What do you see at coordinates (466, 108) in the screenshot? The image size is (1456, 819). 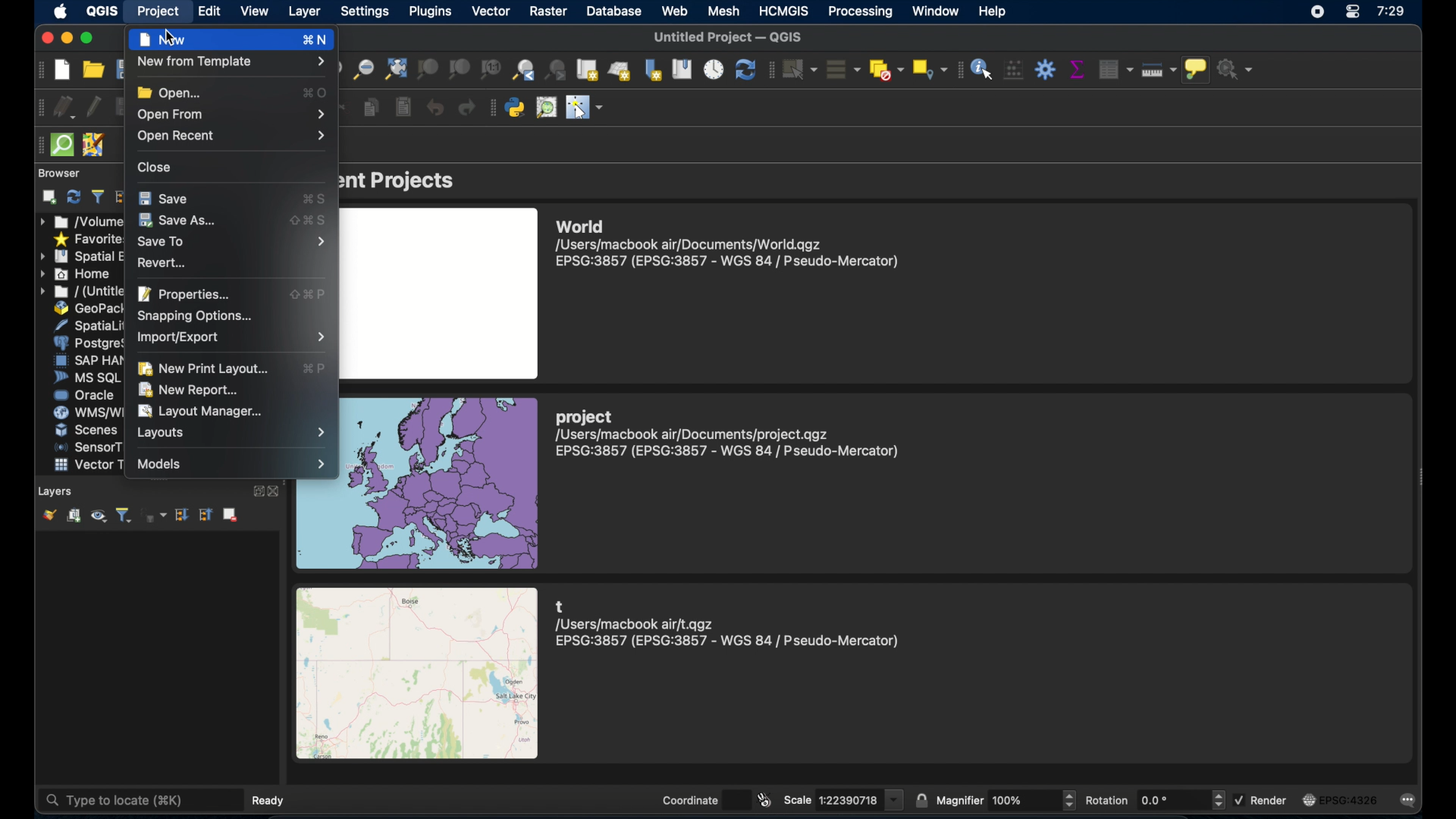 I see `redo` at bounding box center [466, 108].